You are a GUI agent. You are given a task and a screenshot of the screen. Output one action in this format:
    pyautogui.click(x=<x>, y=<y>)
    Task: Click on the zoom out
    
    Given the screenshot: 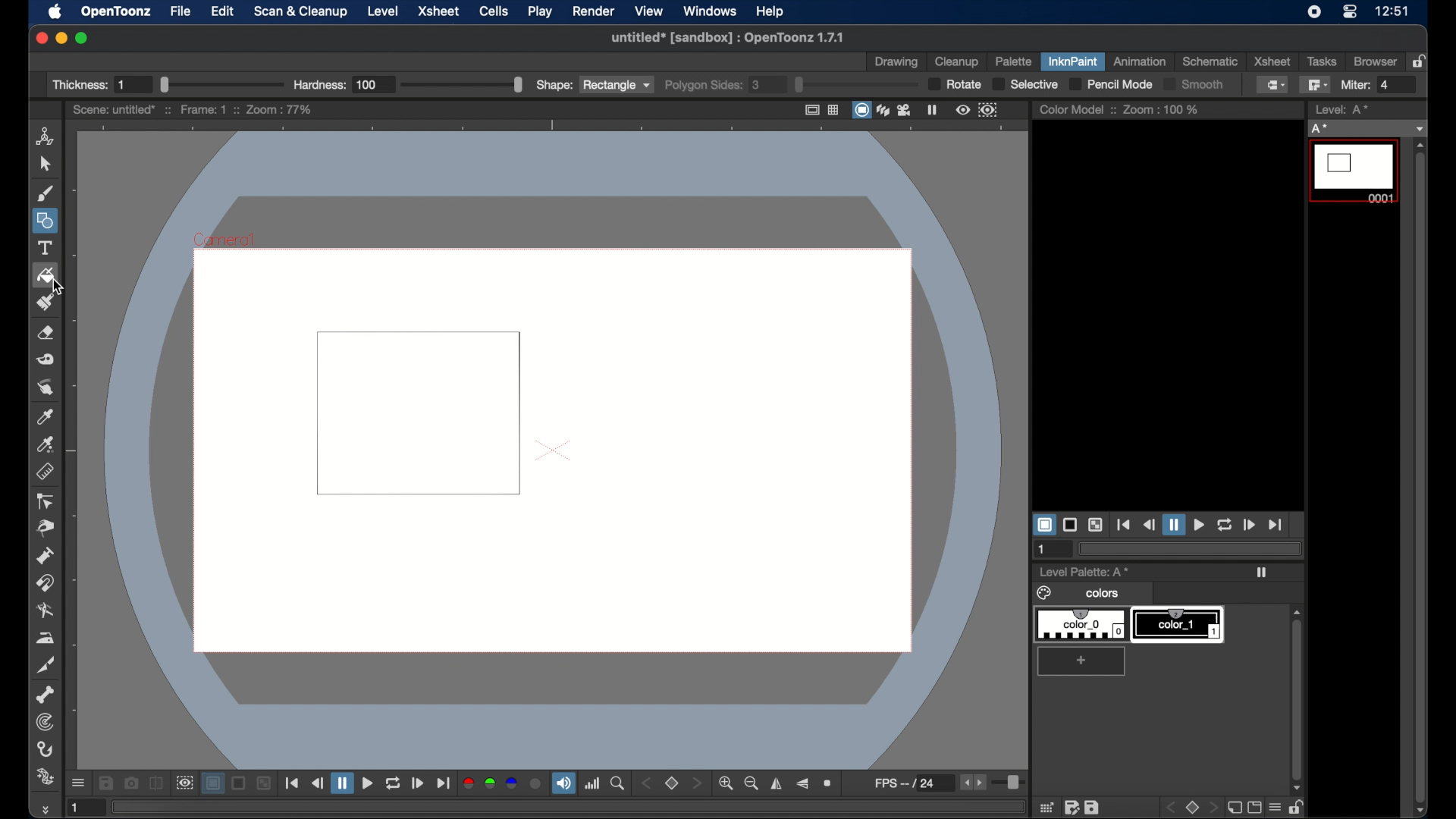 What is the action you would take?
    pyautogui.click(x=752, y=783)
    